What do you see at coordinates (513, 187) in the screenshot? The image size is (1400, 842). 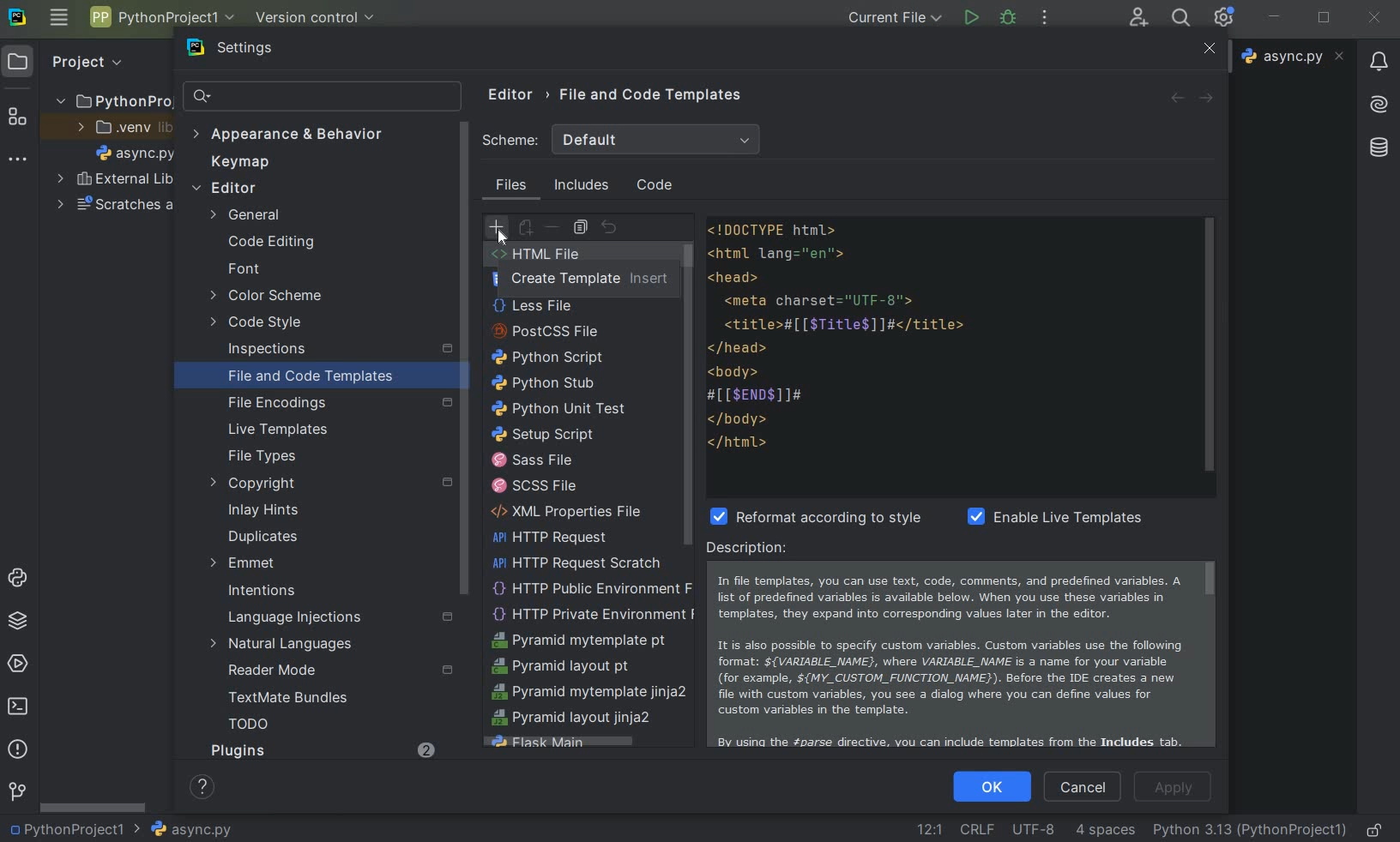 I see `files` at bounding box center [513, 187].